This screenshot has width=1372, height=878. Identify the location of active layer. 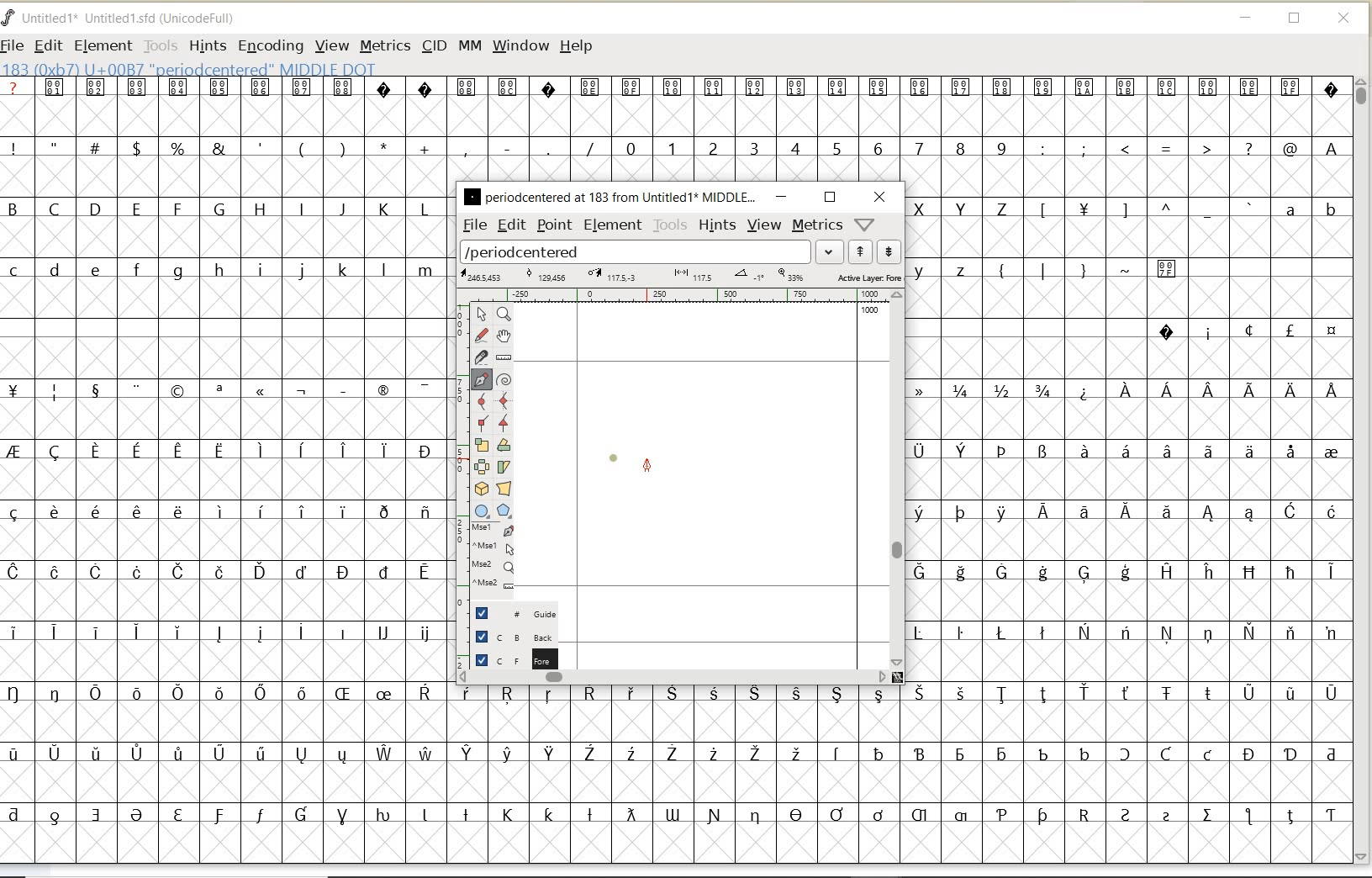
(679, 277).